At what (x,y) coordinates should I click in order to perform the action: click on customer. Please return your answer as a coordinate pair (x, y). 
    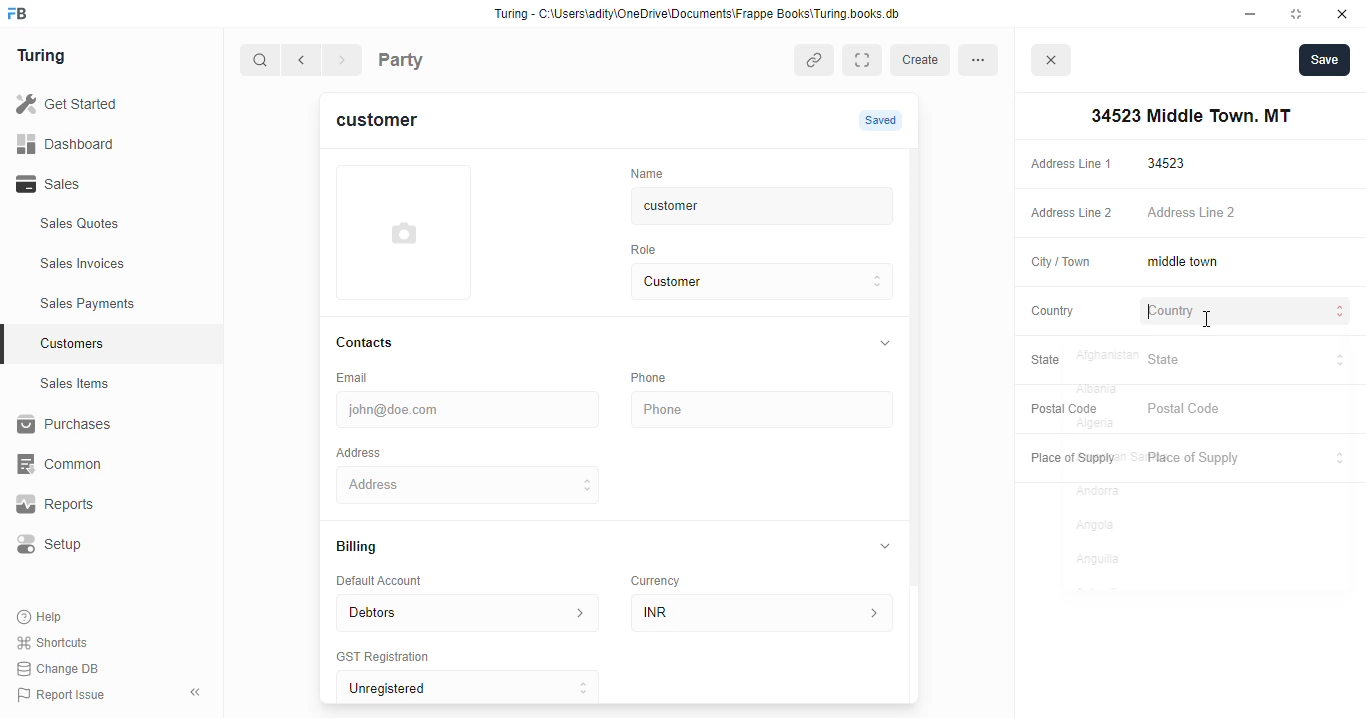
    Looking at the image, I should click on (746, 206).